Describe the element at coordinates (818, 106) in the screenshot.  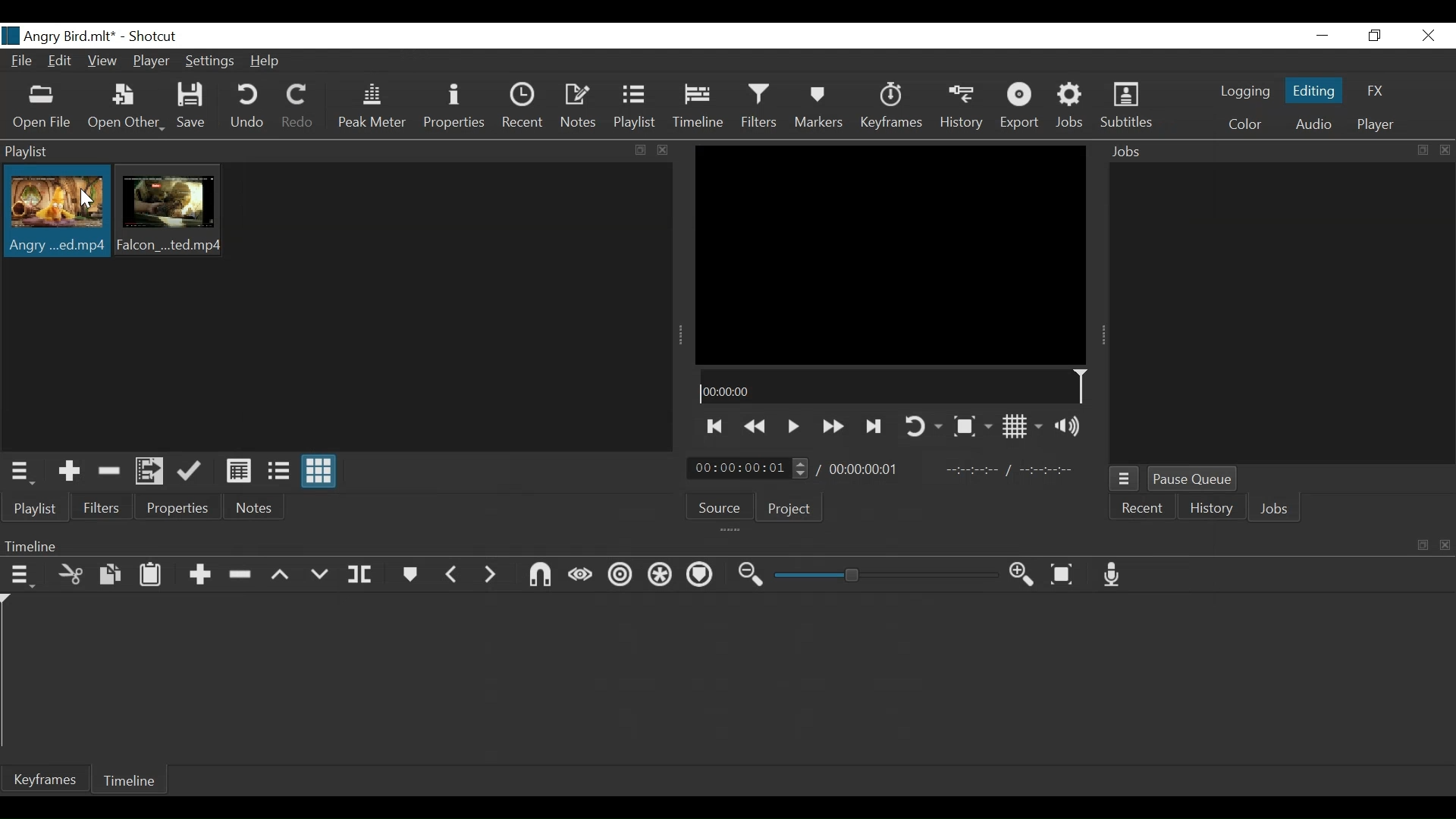
I see `Markers` at that location.